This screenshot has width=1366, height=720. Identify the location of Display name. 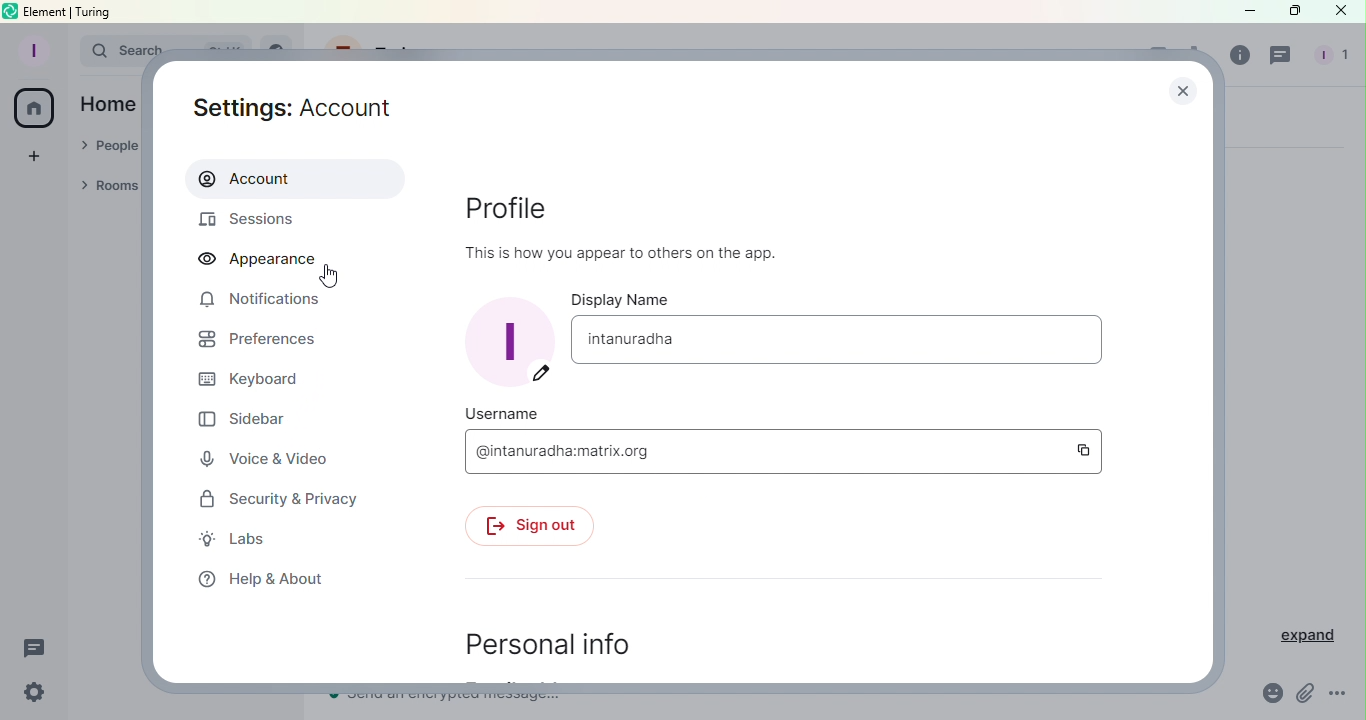
(629, 299).